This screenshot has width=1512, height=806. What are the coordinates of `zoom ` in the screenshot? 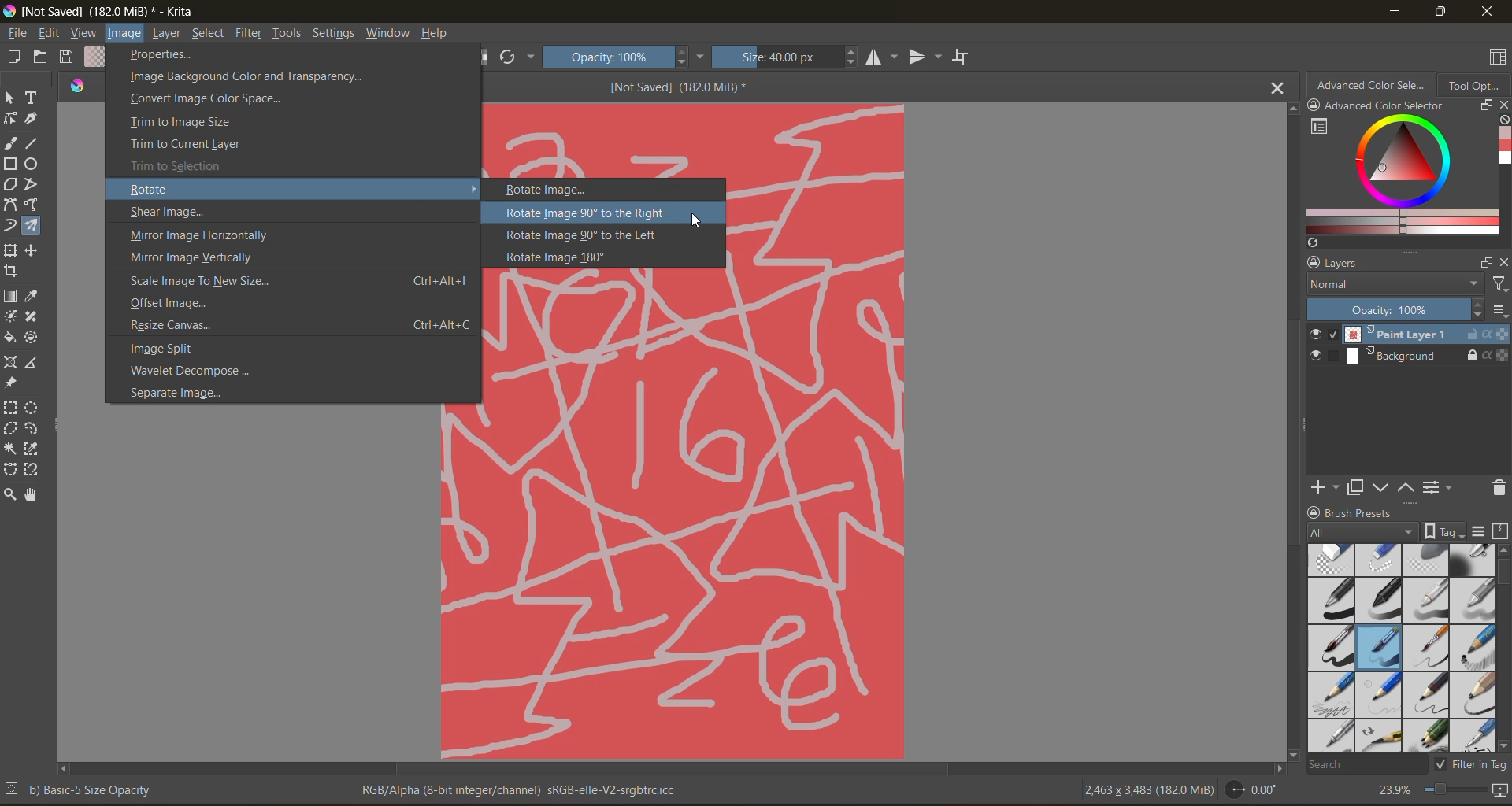 It's located at (1451, 789).